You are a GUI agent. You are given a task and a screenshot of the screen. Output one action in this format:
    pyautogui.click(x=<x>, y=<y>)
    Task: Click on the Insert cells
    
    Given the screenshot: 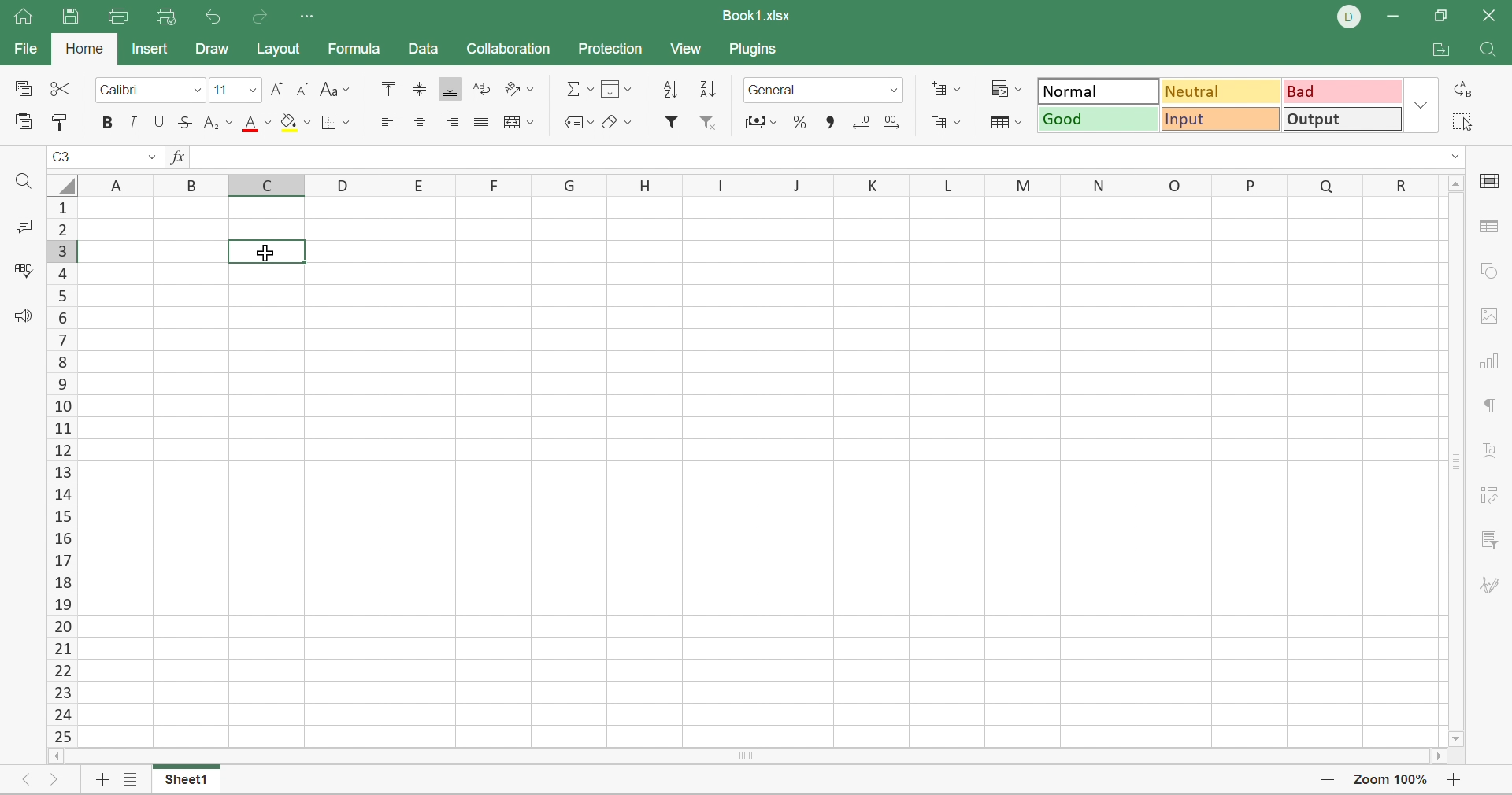 What is the action you would take?
    pyautogui.click(x=947, y=89)
    